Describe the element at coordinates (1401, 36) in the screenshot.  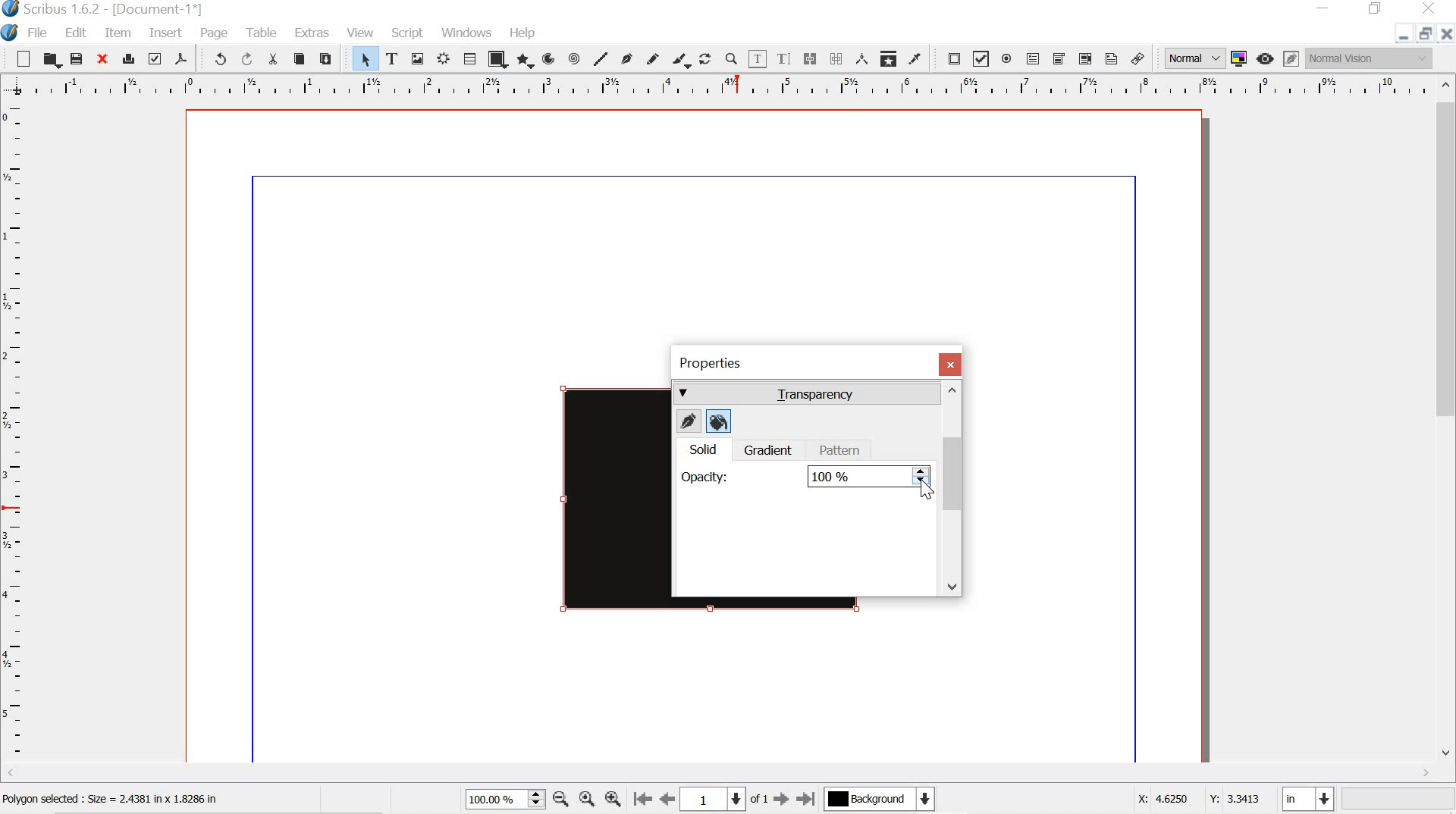
I see `minimize` at that location.